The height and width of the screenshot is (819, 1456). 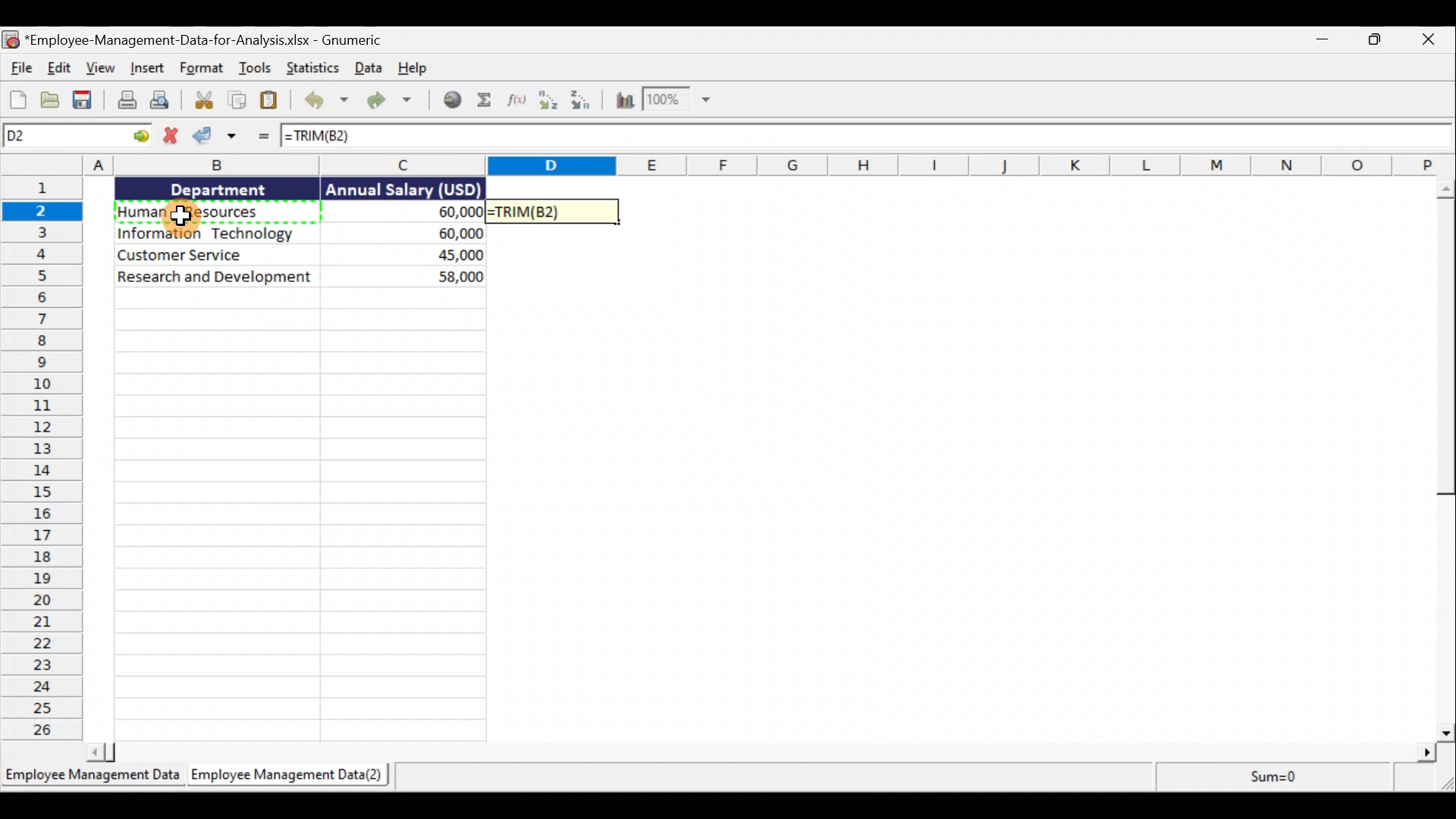 I want to click on Tools, so click(x=258, y=68).